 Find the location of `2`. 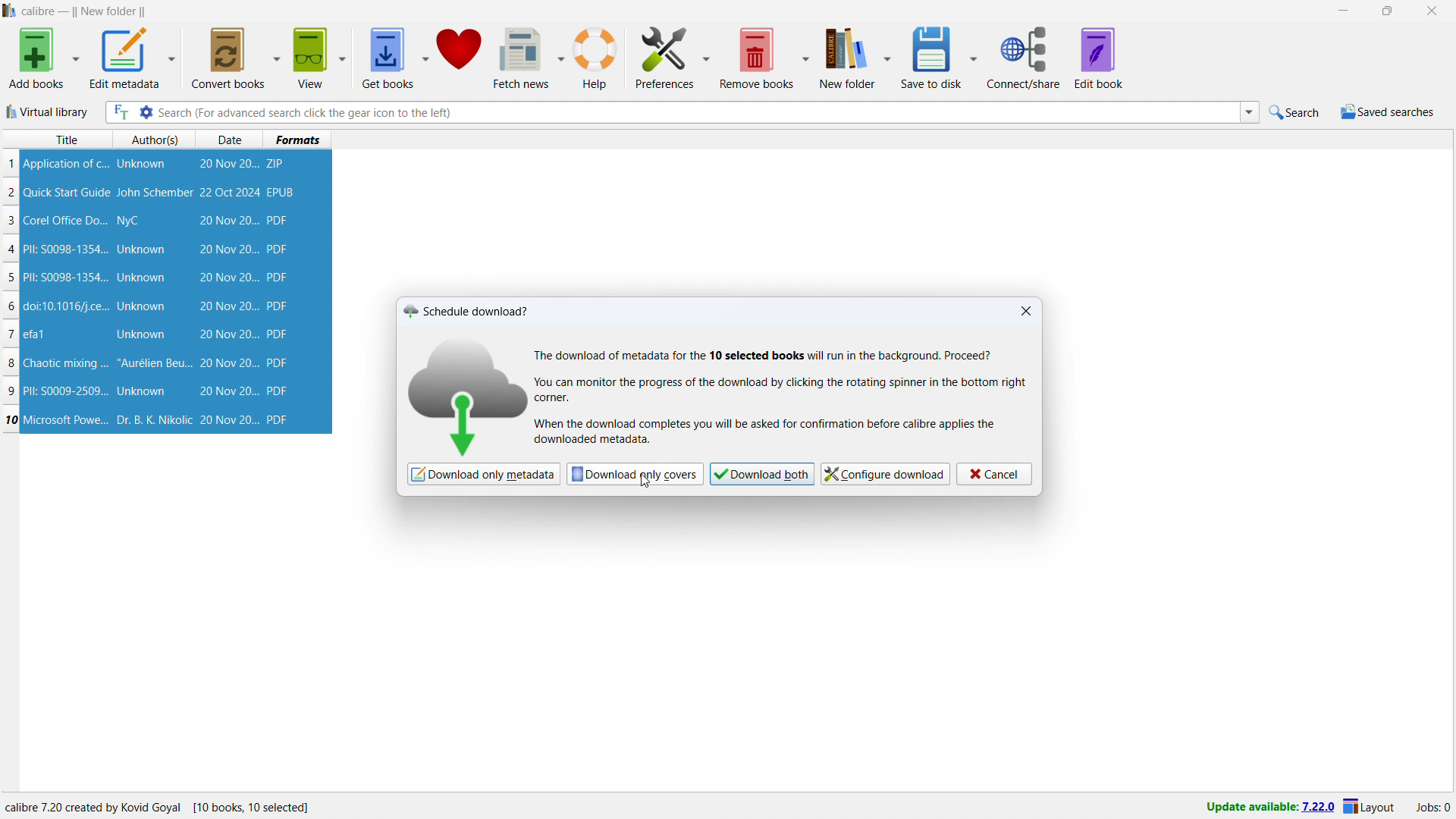

2 is located at coordinates (11, 193).